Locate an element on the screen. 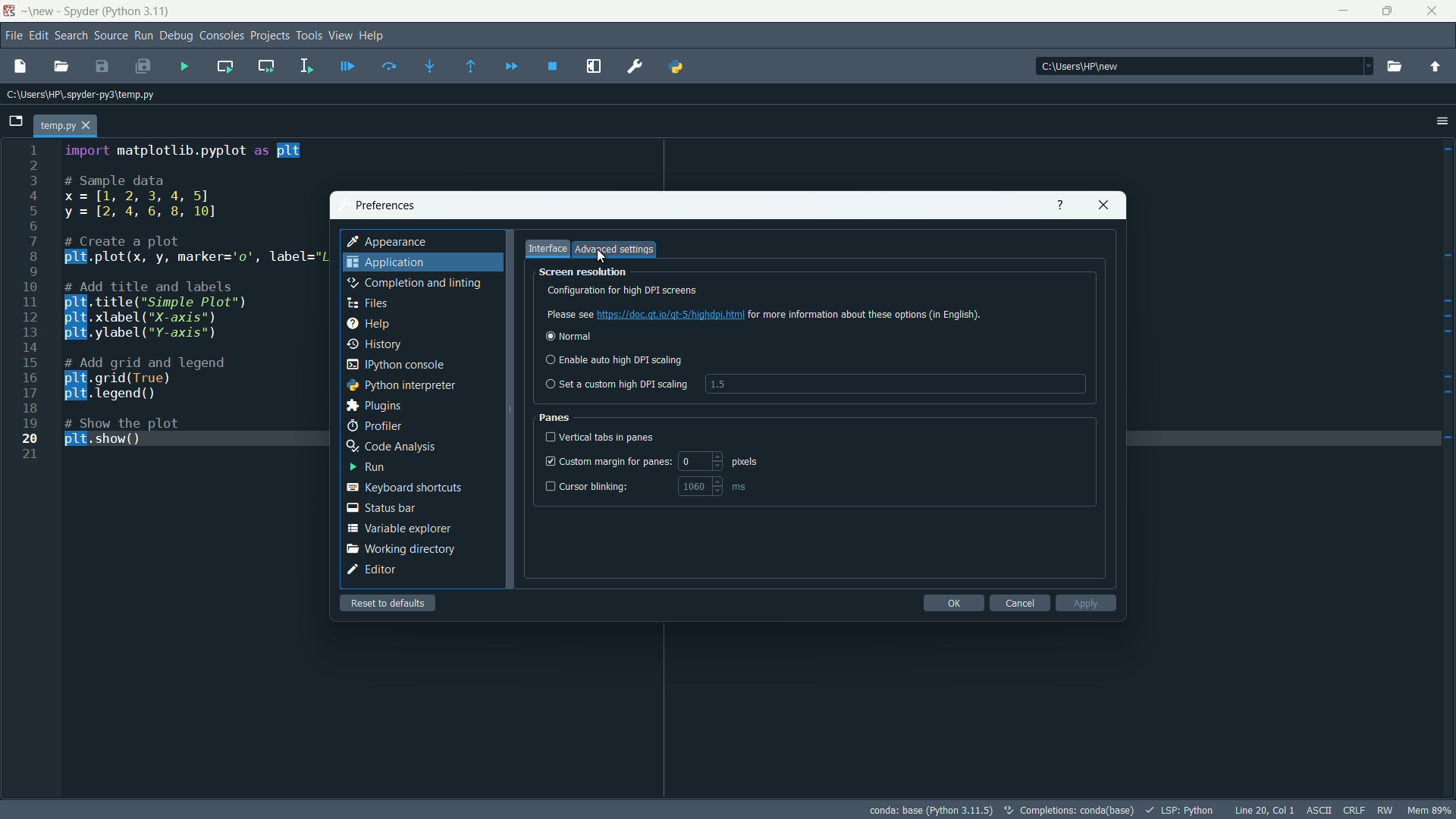  file tab is located at coordinates (65, 127).